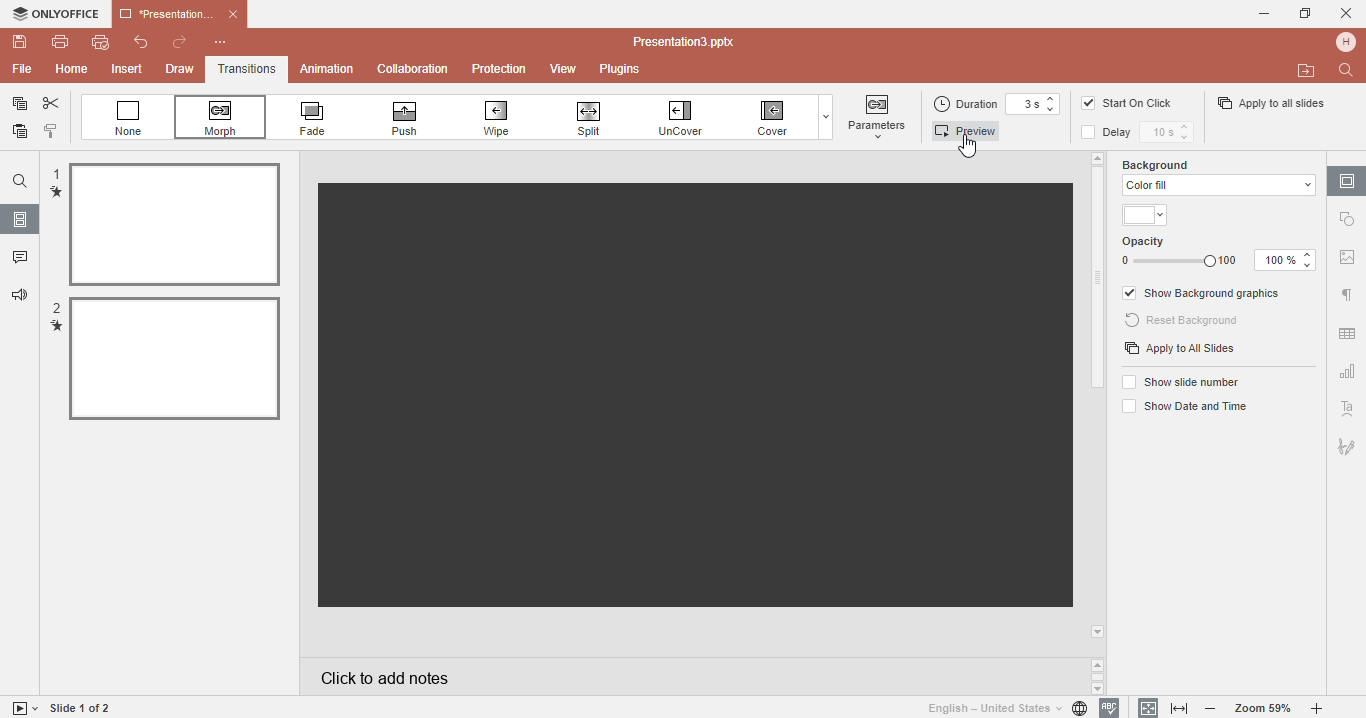  I want to click on Profile name, so click(1348, 41).